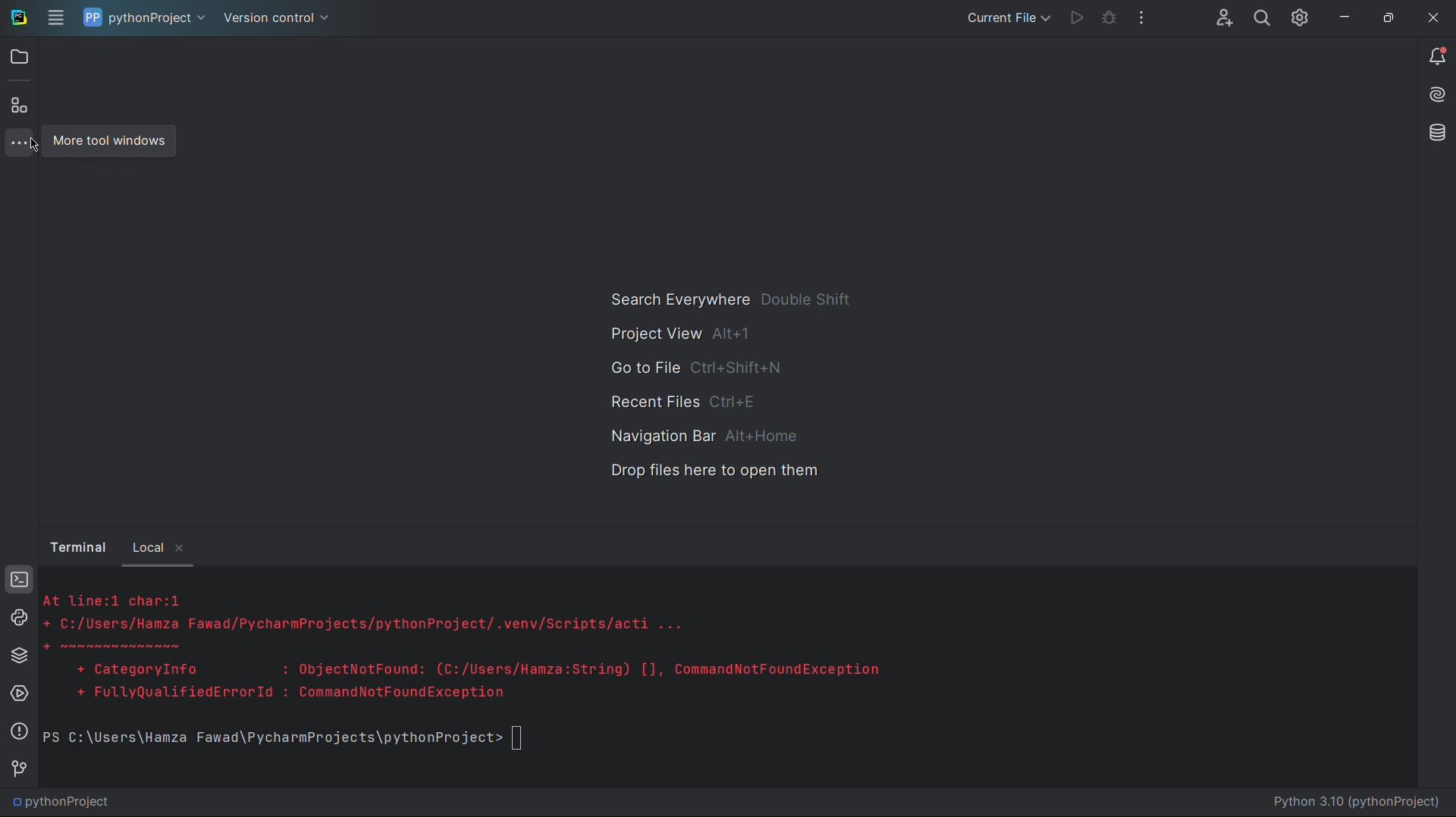  I want to click on Project View, so click(682, 333).